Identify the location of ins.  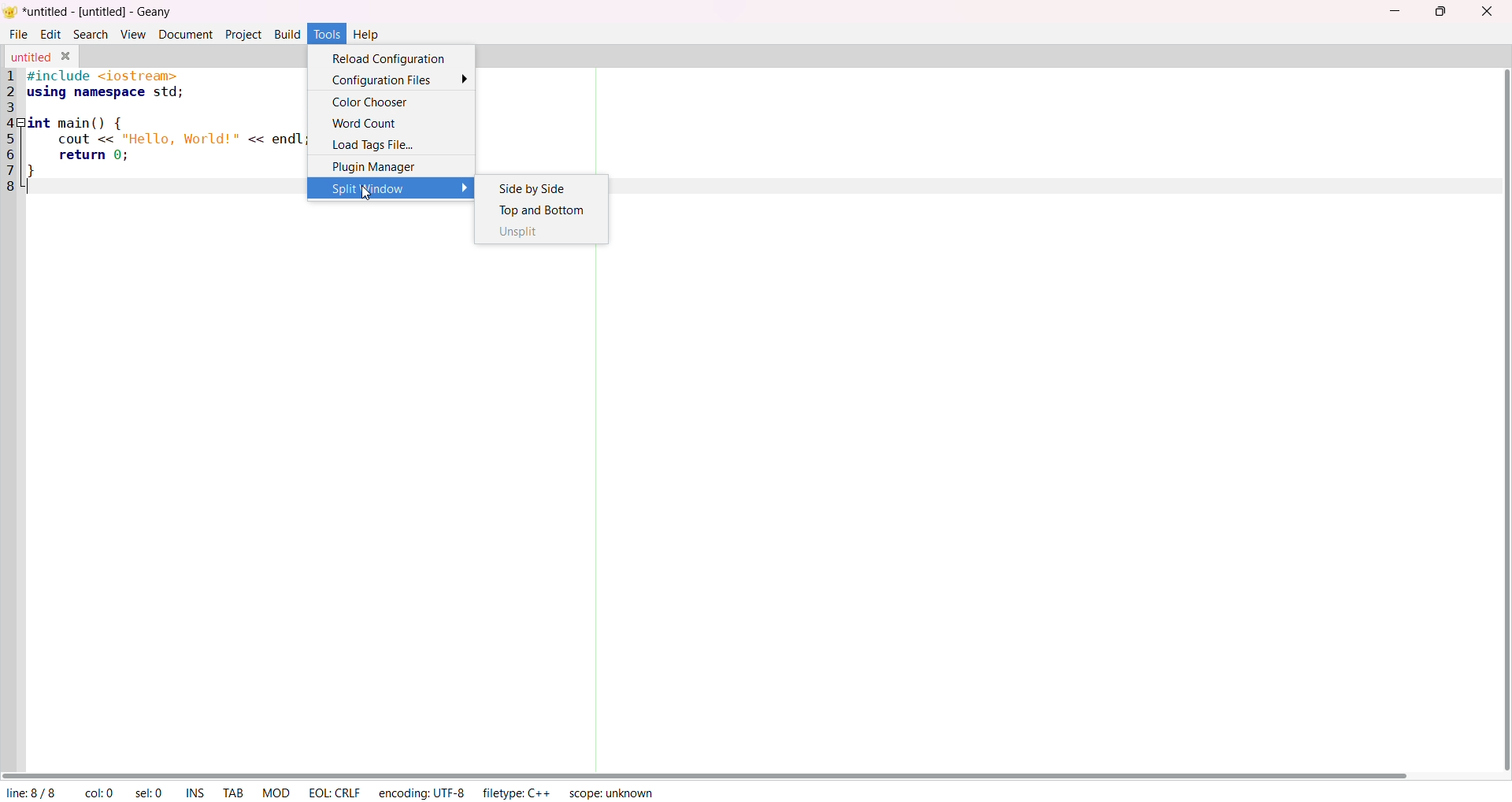
(193, 791).